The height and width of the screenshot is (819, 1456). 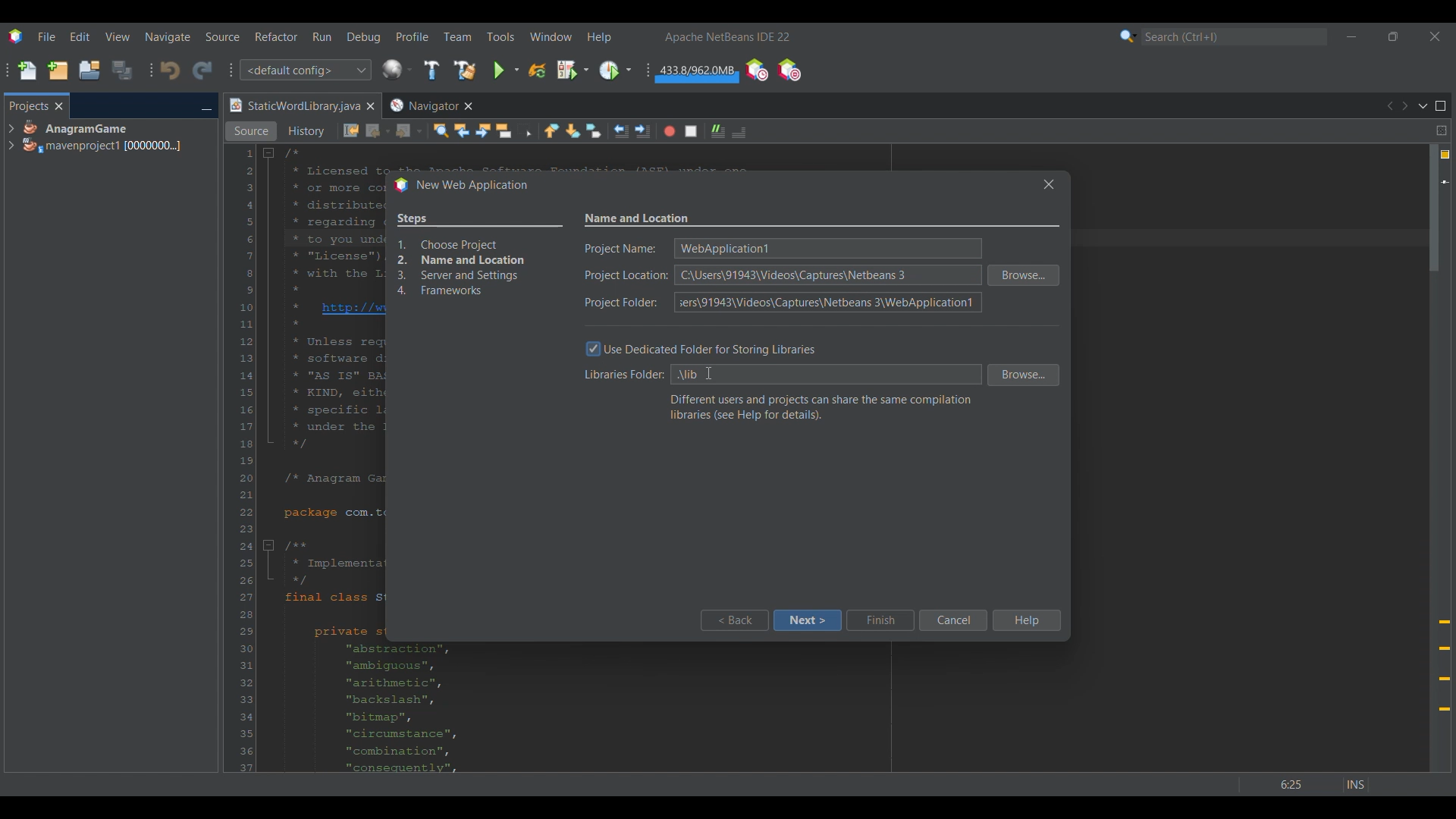 What do you see at coordinates (431, 70) in the screenshot?
I see `Build main project` at bounding box center [431, 70].